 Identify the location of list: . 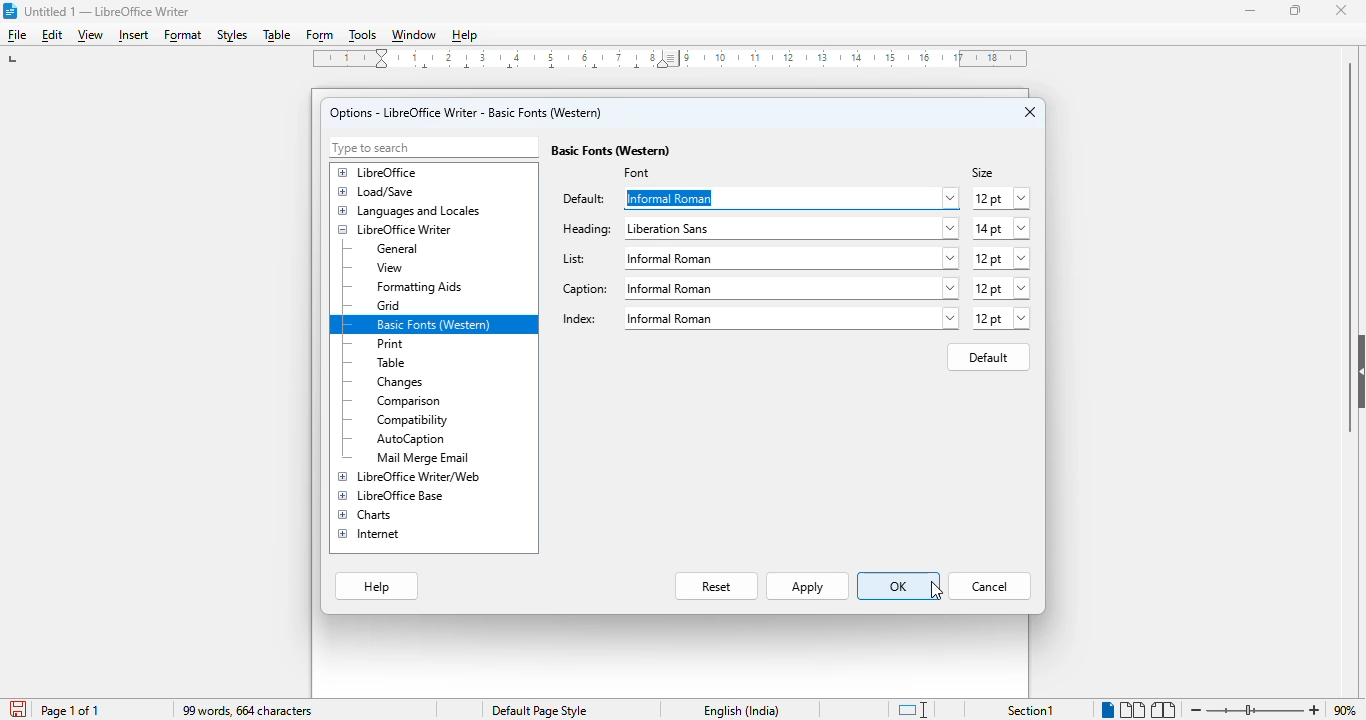
(576, 259).